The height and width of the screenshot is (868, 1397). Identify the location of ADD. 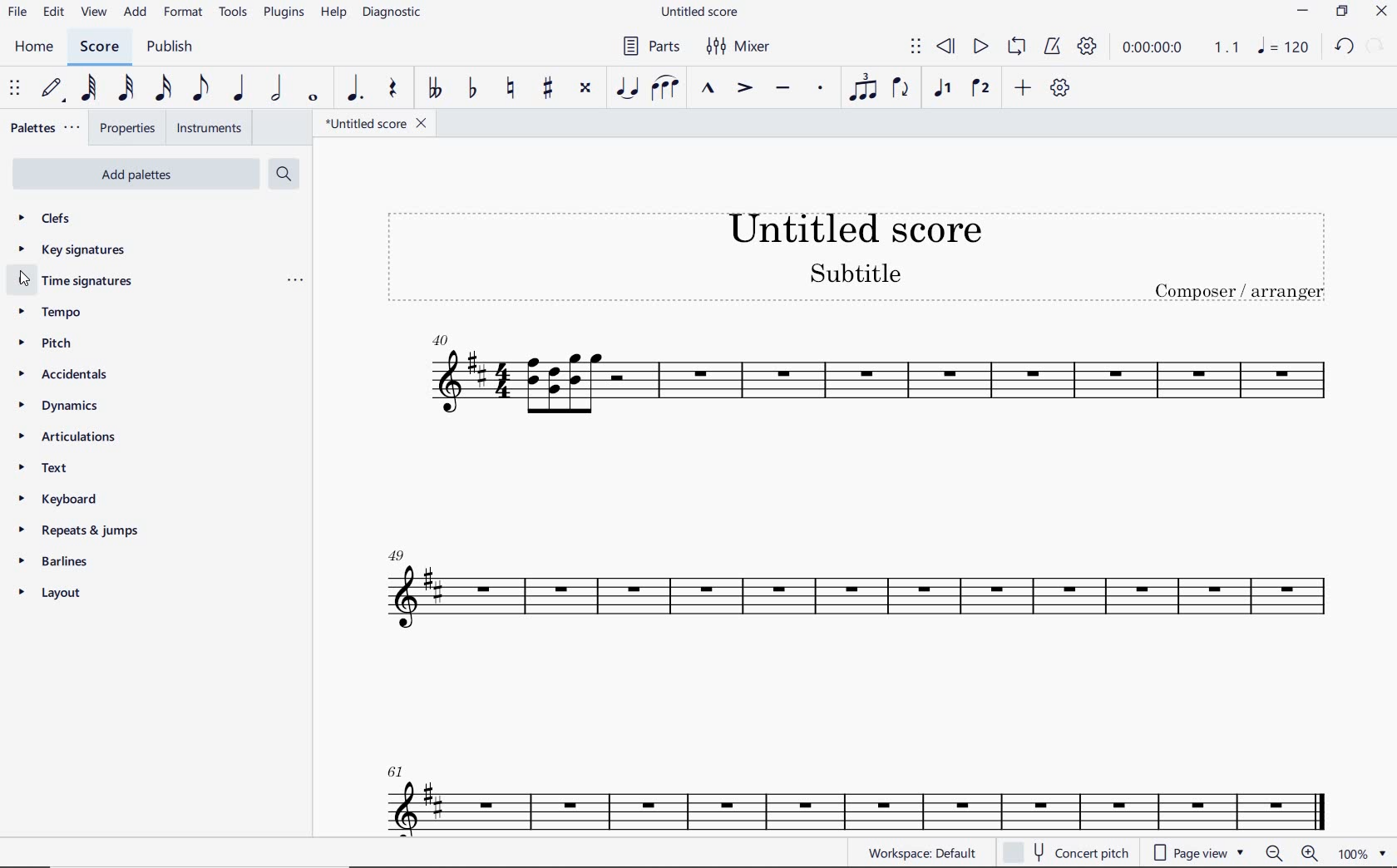
(136, 13).